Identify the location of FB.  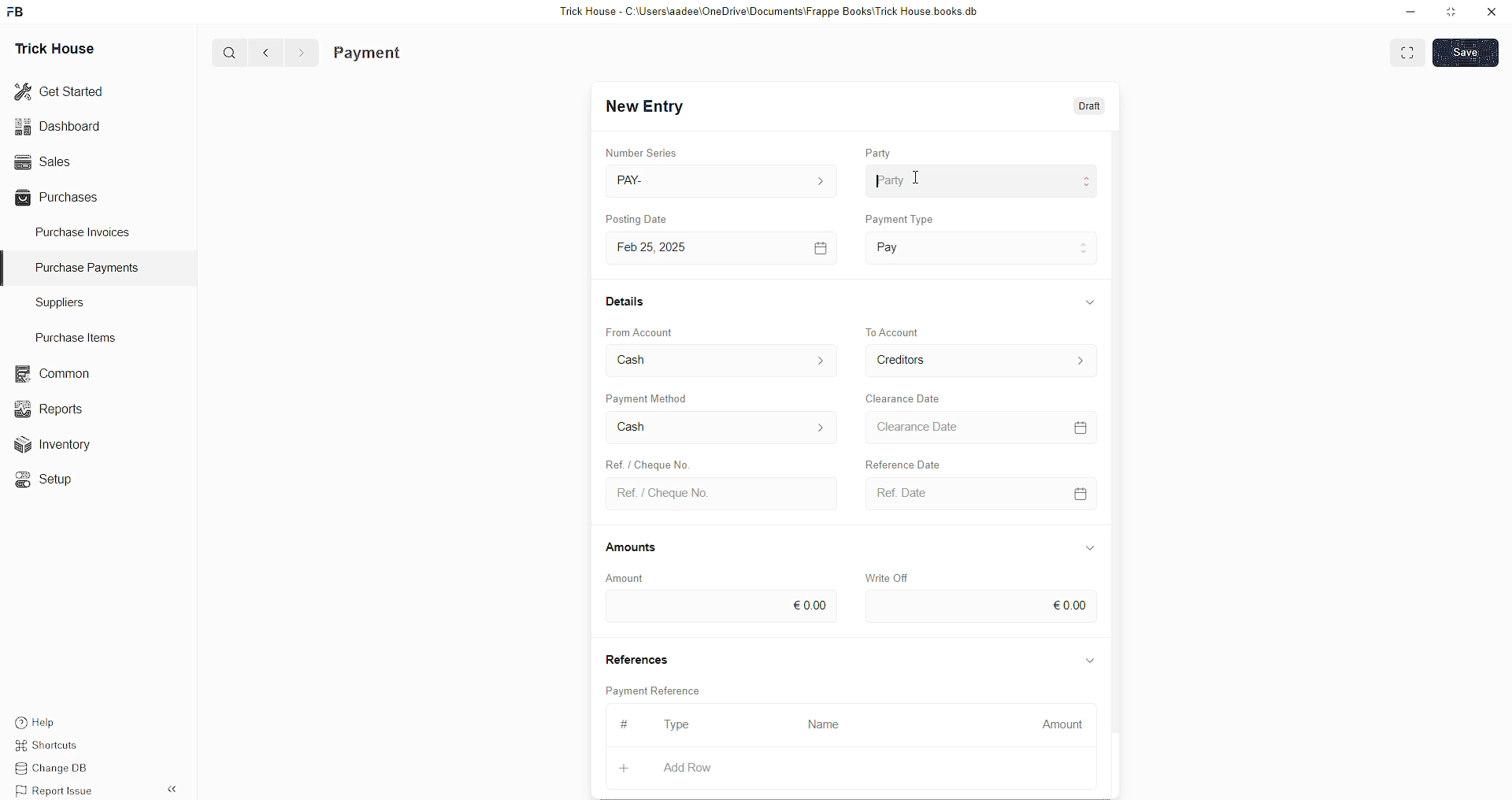
(18, 10).